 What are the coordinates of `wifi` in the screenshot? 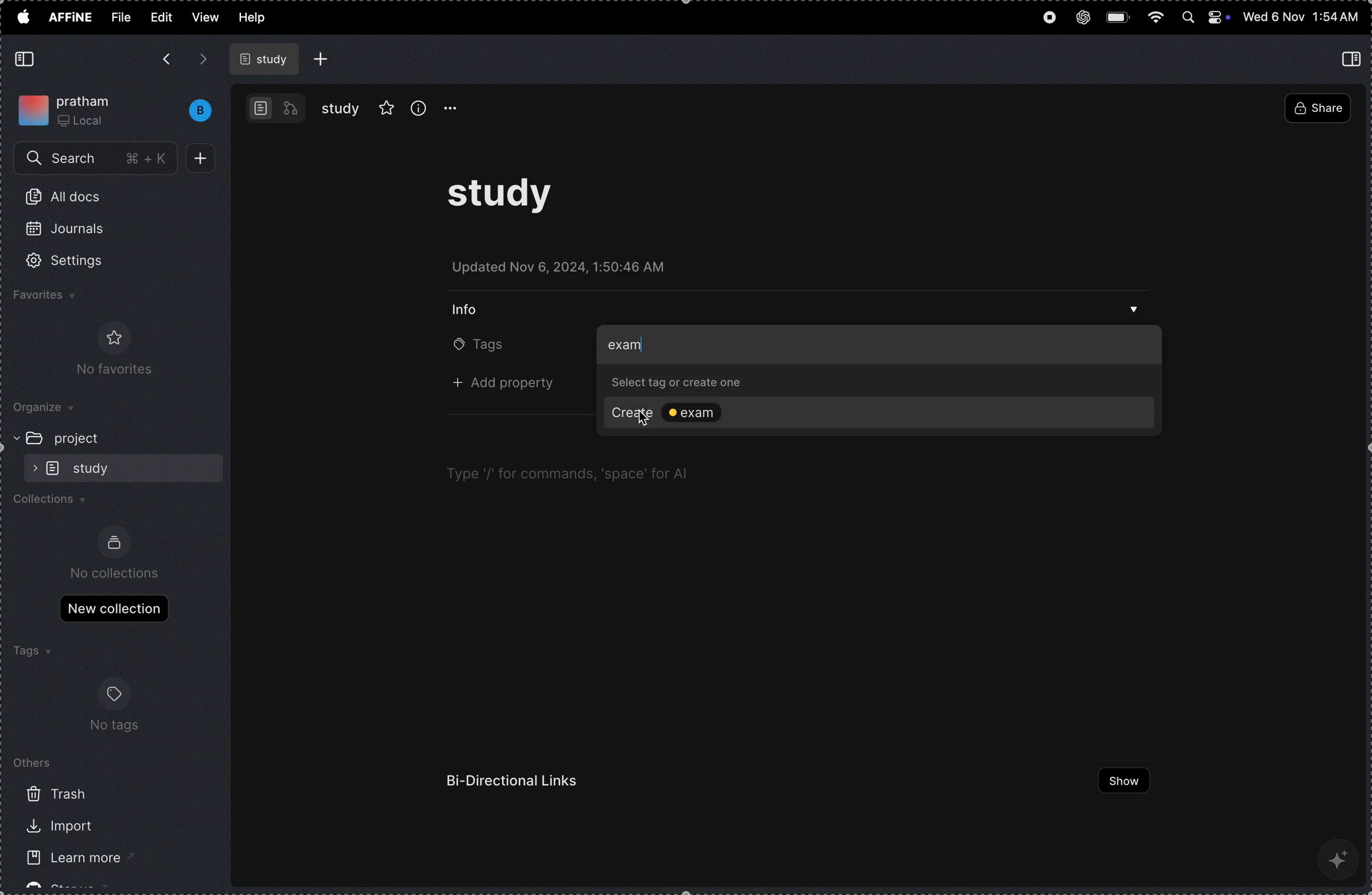 It's located at (1156, 18).